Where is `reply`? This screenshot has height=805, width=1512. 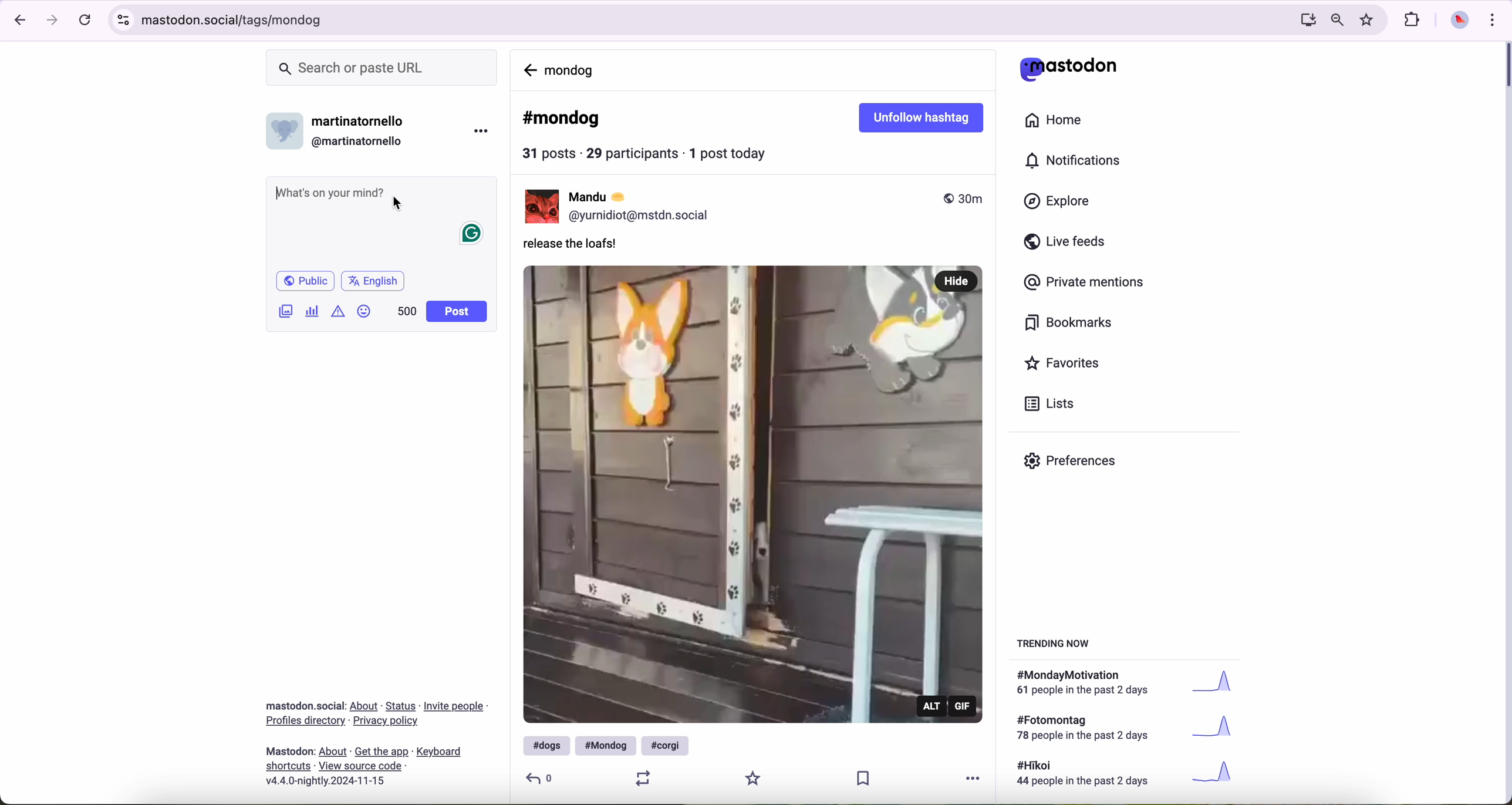
reply is located at coordinates (541, 777).